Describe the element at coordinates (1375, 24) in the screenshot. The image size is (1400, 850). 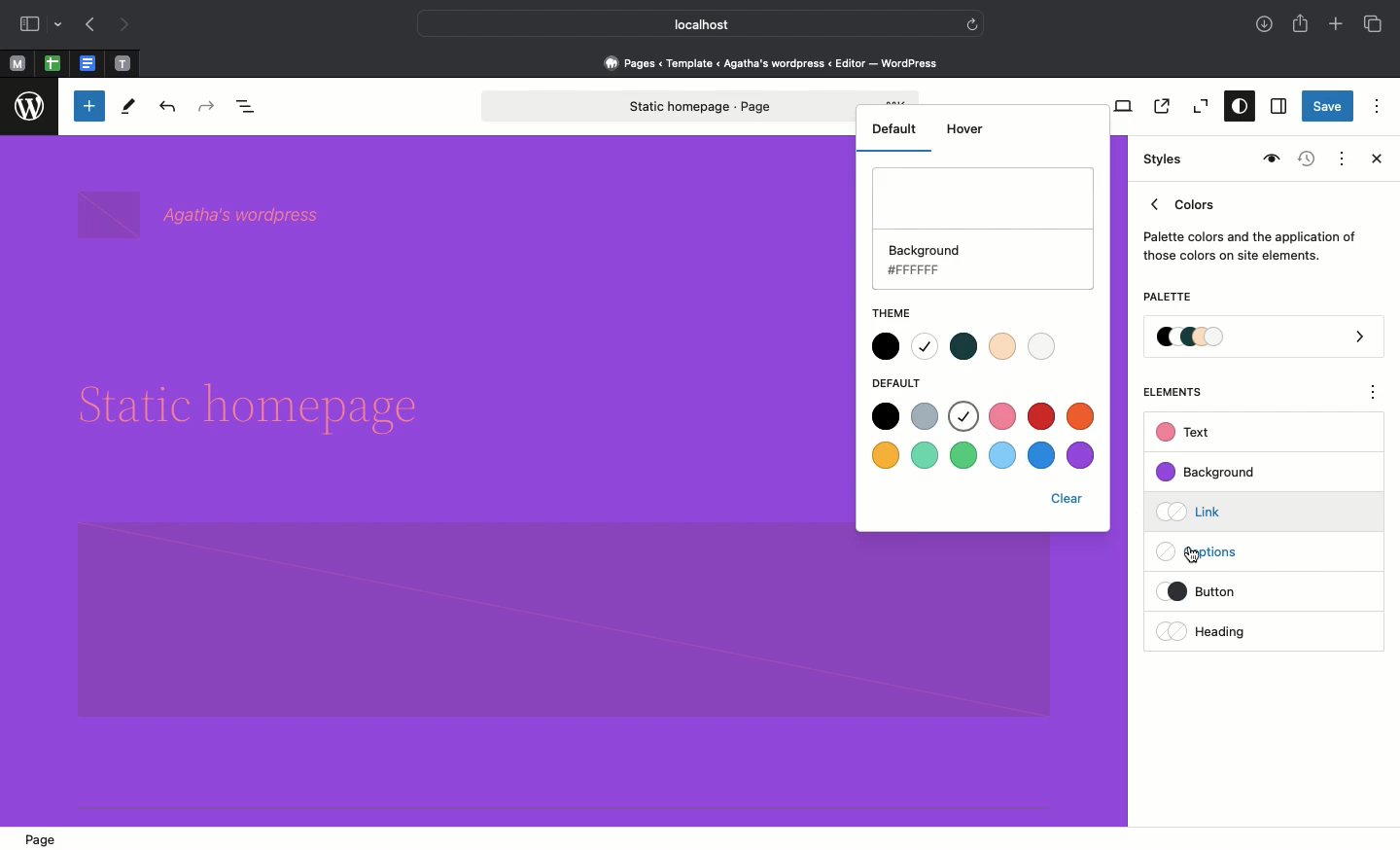
I see `Tabs` at that location.